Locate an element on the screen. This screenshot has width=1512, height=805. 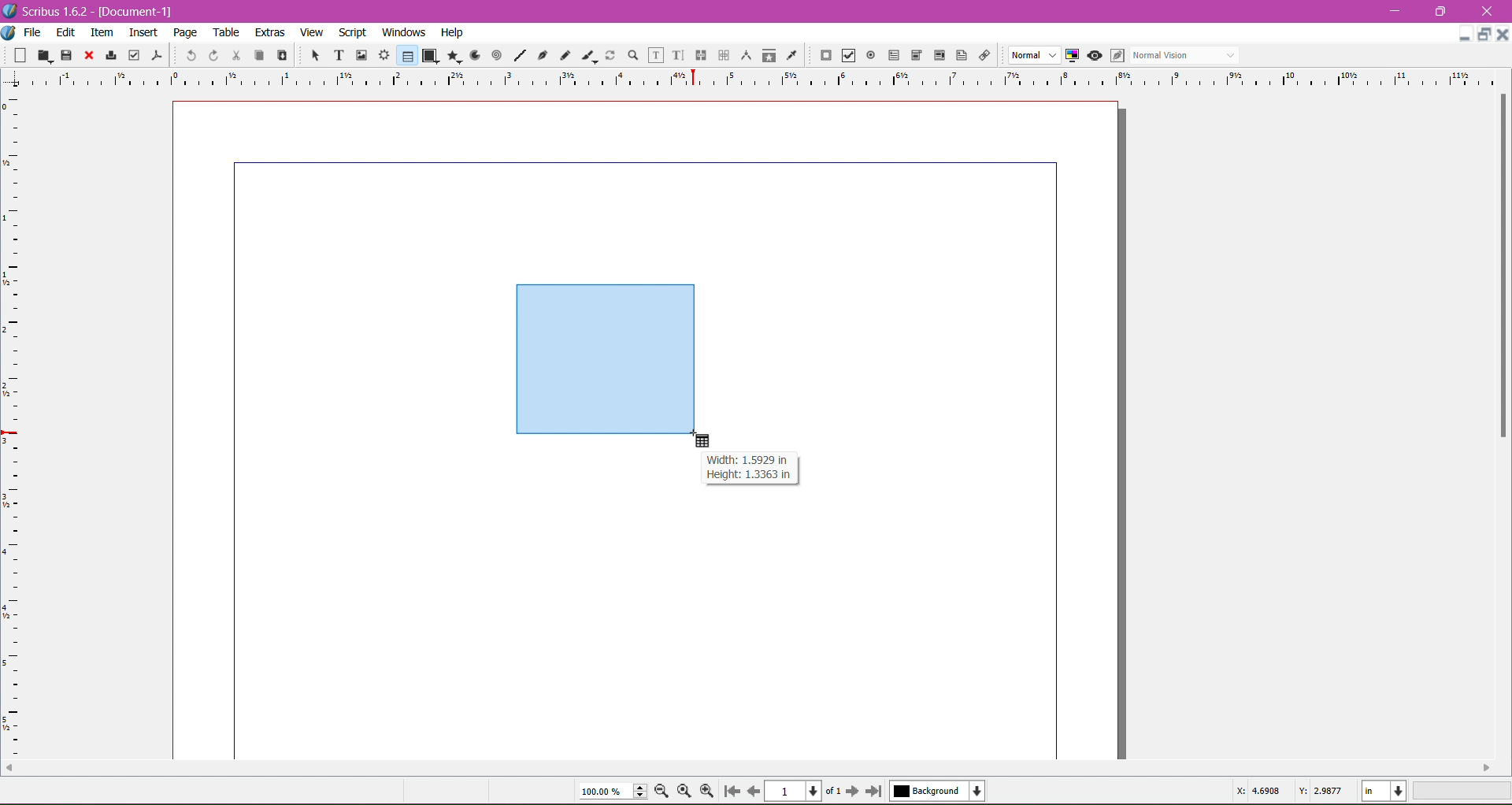
Edit Text with Story is located at coordinates (678, 55).